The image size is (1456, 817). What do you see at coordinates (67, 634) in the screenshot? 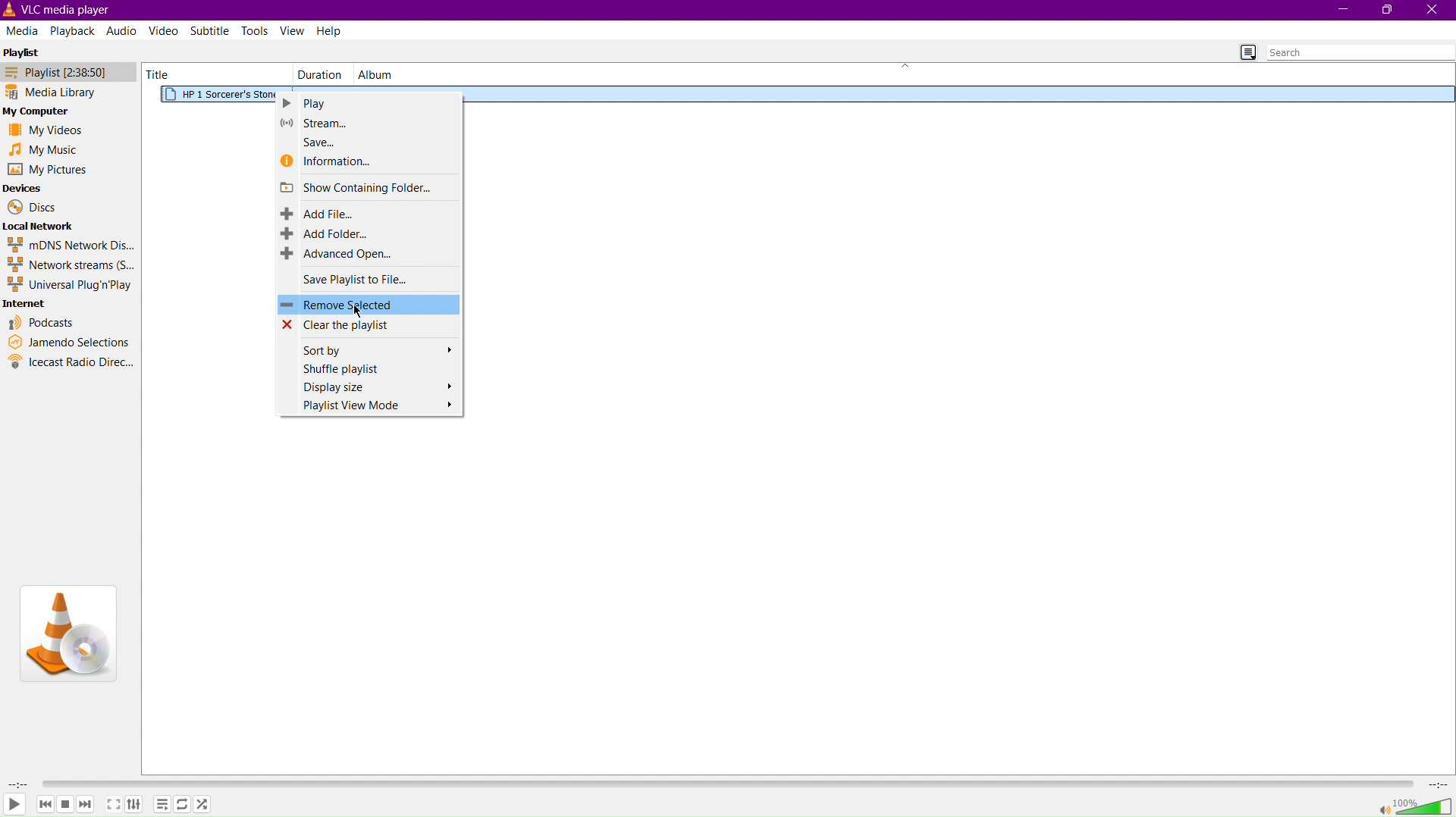
I see `VLC Logo` at bounding box center [67, 634].